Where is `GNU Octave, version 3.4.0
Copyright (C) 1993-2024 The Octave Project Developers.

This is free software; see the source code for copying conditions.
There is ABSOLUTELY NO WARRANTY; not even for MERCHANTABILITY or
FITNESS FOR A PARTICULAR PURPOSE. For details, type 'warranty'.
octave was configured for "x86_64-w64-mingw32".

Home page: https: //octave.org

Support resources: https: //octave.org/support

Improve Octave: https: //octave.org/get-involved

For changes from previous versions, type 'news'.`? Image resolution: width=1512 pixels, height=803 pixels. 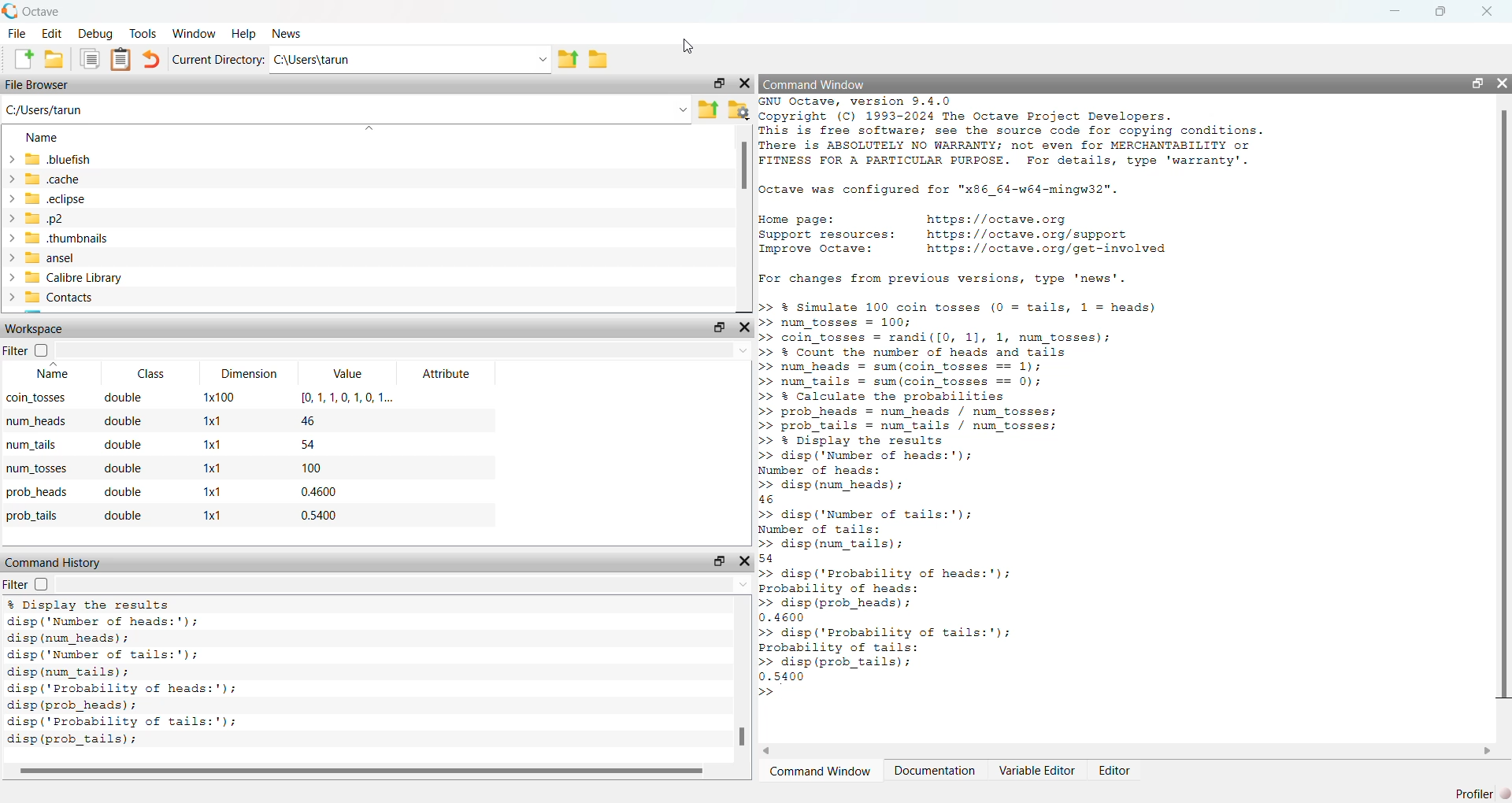
GNU Octave, version 3.4.0
Copyright (C) 1993-2024 The Octave Project Developers.

This is free software; see the source code for copying conditions.
There is ABSOLUTELY NO WARRANTY; not even for MERCHANTABILITY or
FITNESS FOR A PARTICULAR PURPOSE. For details, type 'warranty'.
octave was configured for "x86_64-w64-mingw32".

Home page: https: //octave.org

Support resources: https: //octave.org/support

Improve Octave: https: //octave.org/get-involved

For changes from previous versions, type 'news'. is located at coordinates (1013, 193).